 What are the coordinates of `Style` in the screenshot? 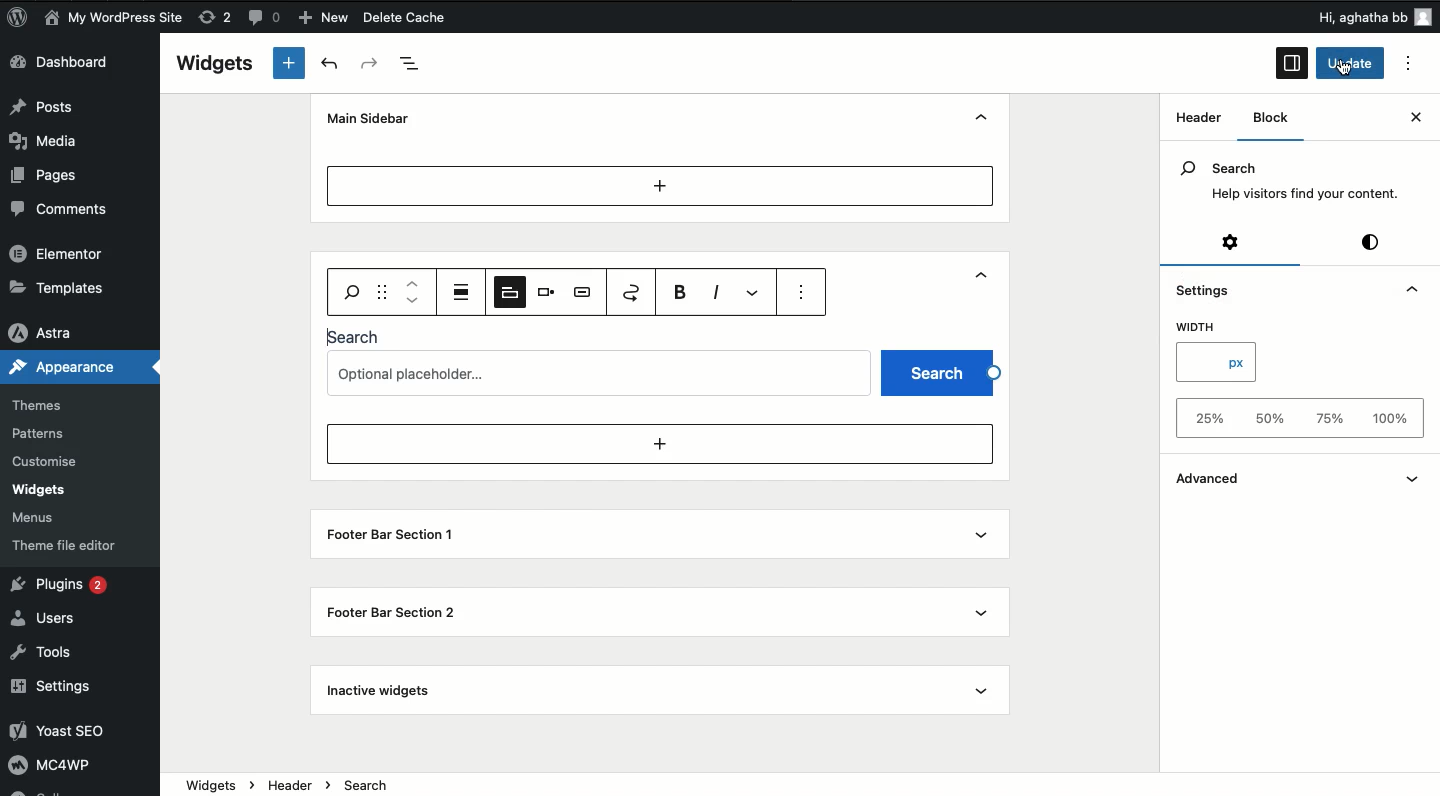 It's located at (1372, 243).